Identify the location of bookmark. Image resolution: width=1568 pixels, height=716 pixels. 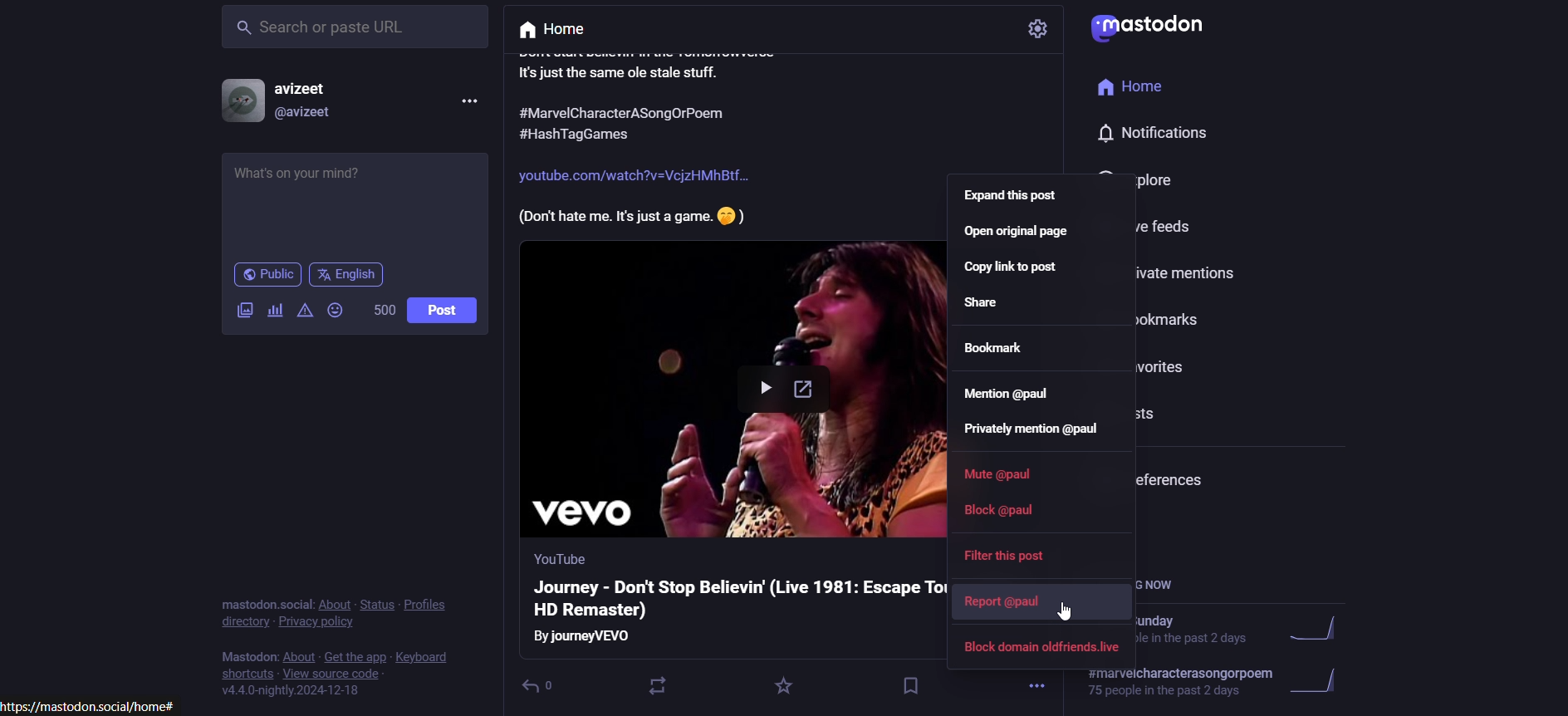
(1004, 352).